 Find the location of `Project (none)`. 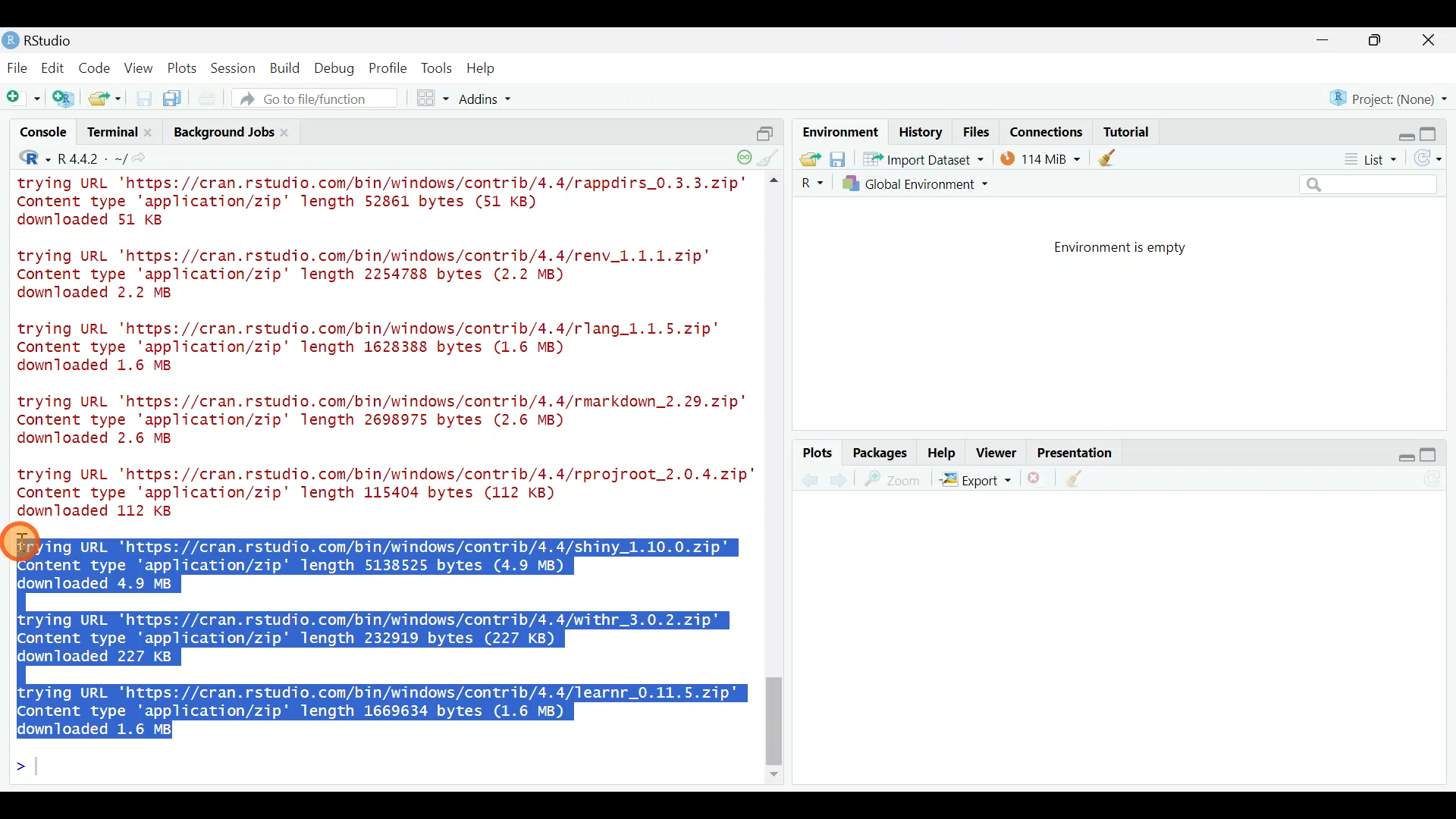

Project (none) is located at coordinates (1393, 96).